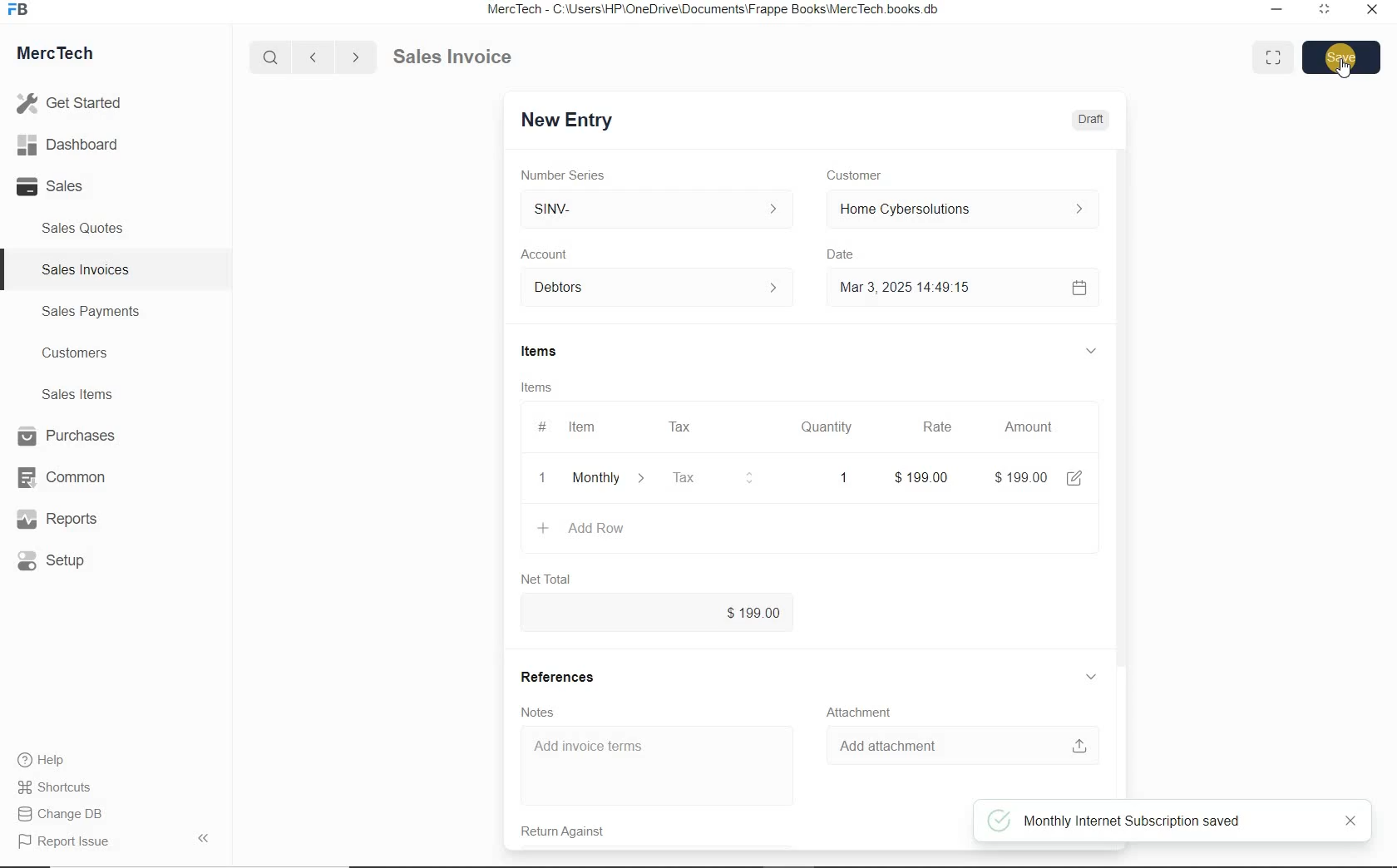  Describe the element at coordinates (636, 528) in the screenshot. I see `create` at that location.